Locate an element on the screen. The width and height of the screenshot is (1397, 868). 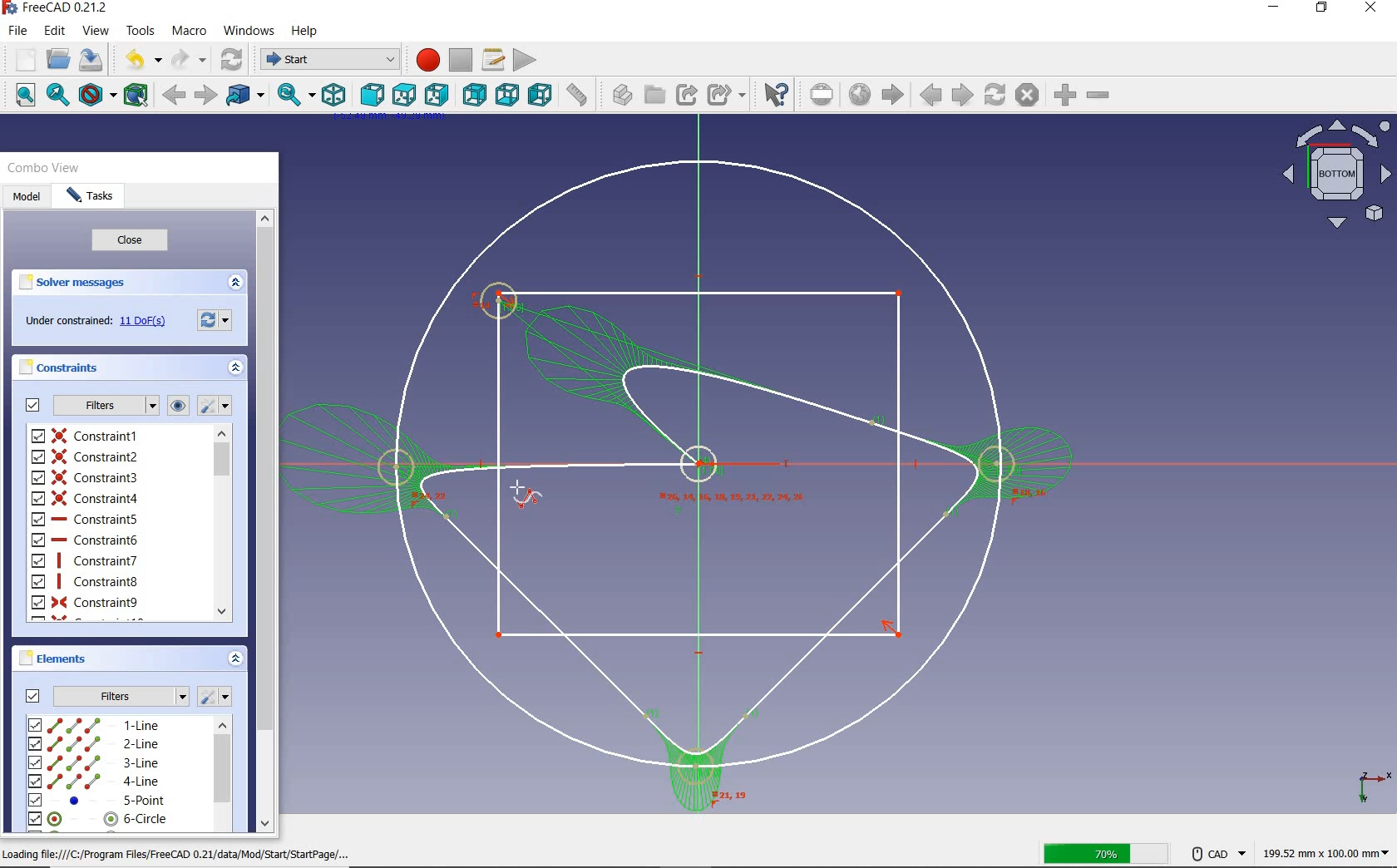
constraints is located at coordinates (180, 405).